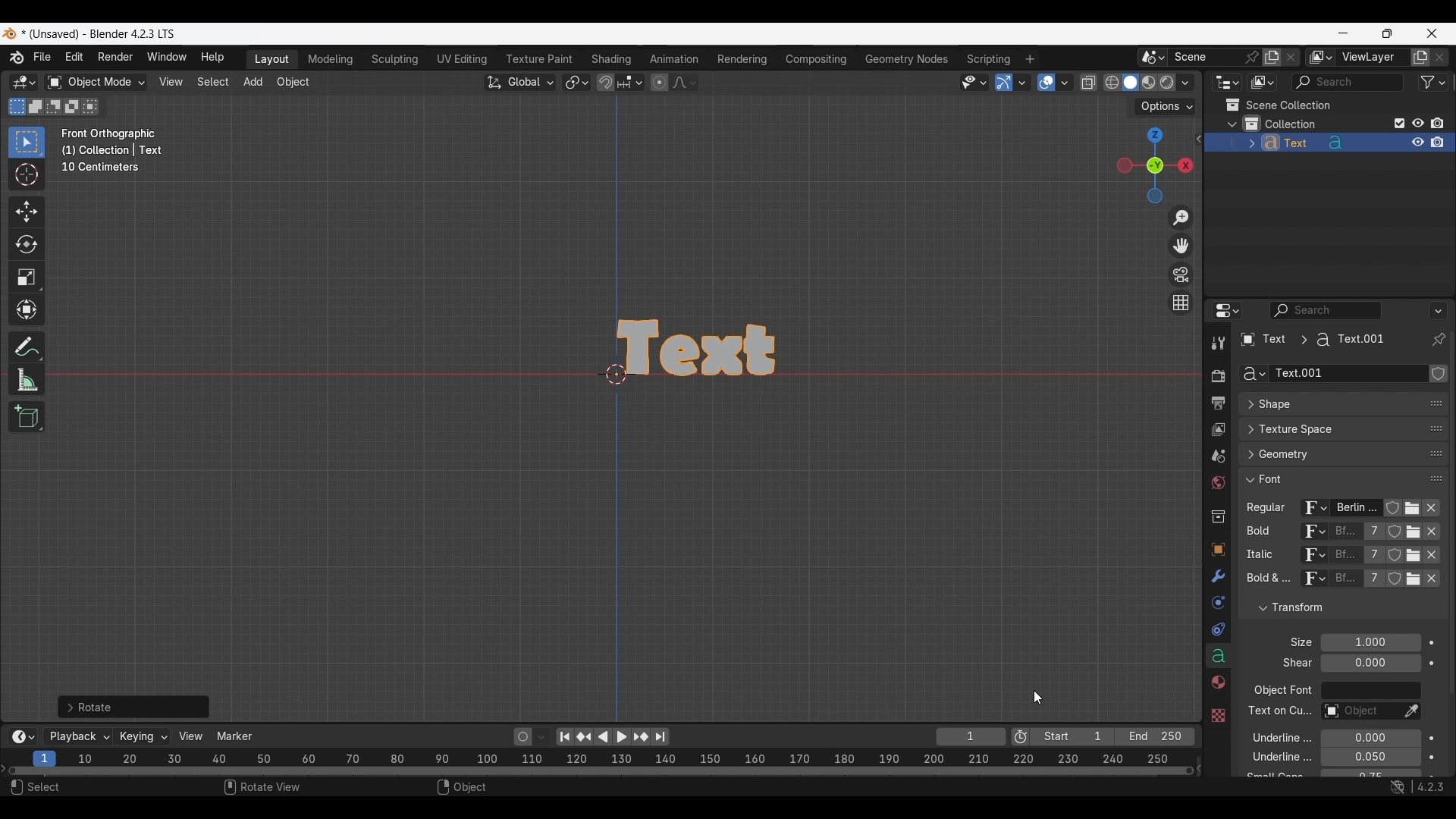 The height and width of the screenshot is (819, 1456). I want to click on Viewport shading, rendered, so click(1166, 82).